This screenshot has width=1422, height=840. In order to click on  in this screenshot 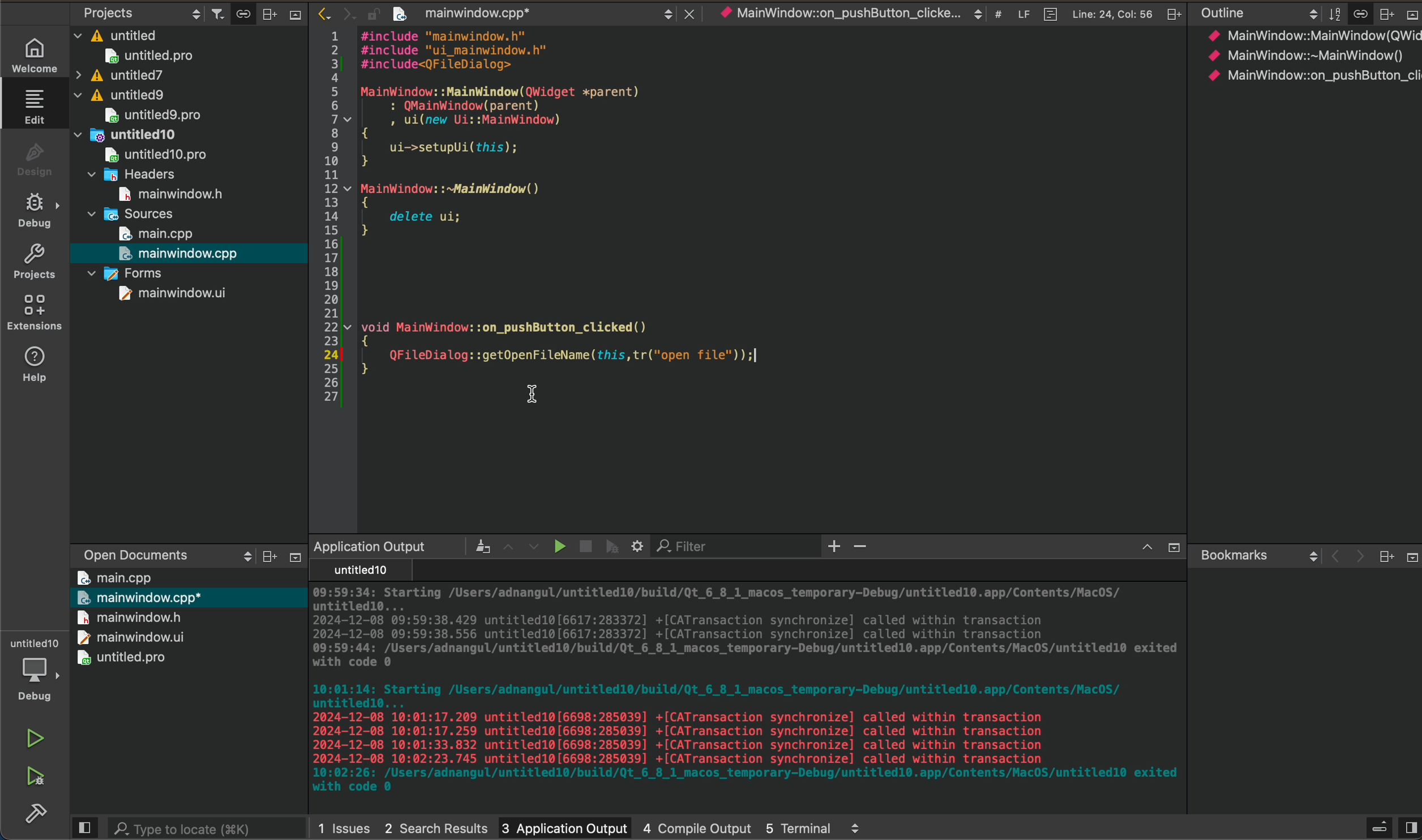, I will do `click(291, 557)`.